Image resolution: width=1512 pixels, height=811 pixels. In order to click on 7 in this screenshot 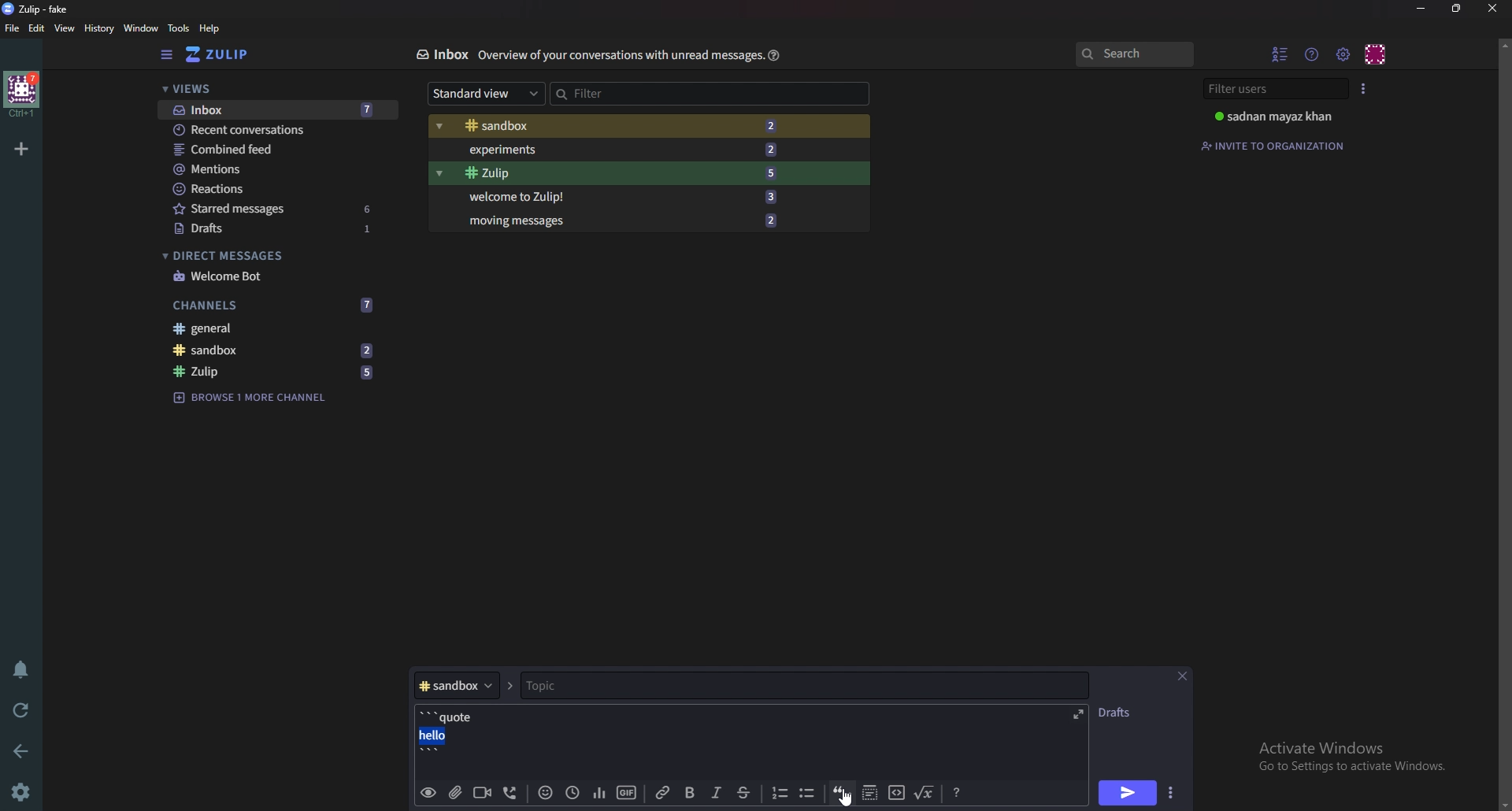, I will do `click(376, 109)`.